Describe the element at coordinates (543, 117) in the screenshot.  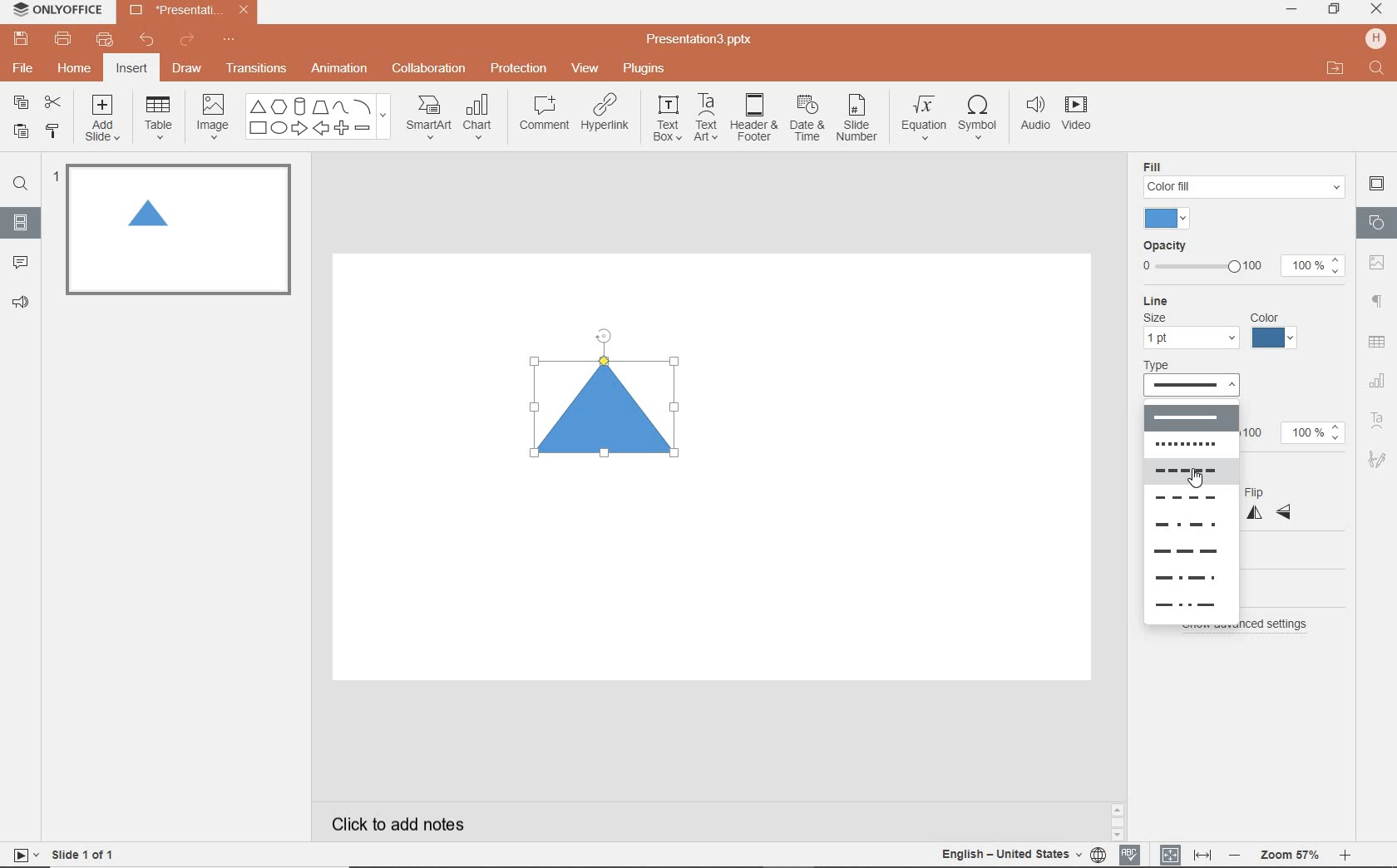
I see `COMMENT` at that location.